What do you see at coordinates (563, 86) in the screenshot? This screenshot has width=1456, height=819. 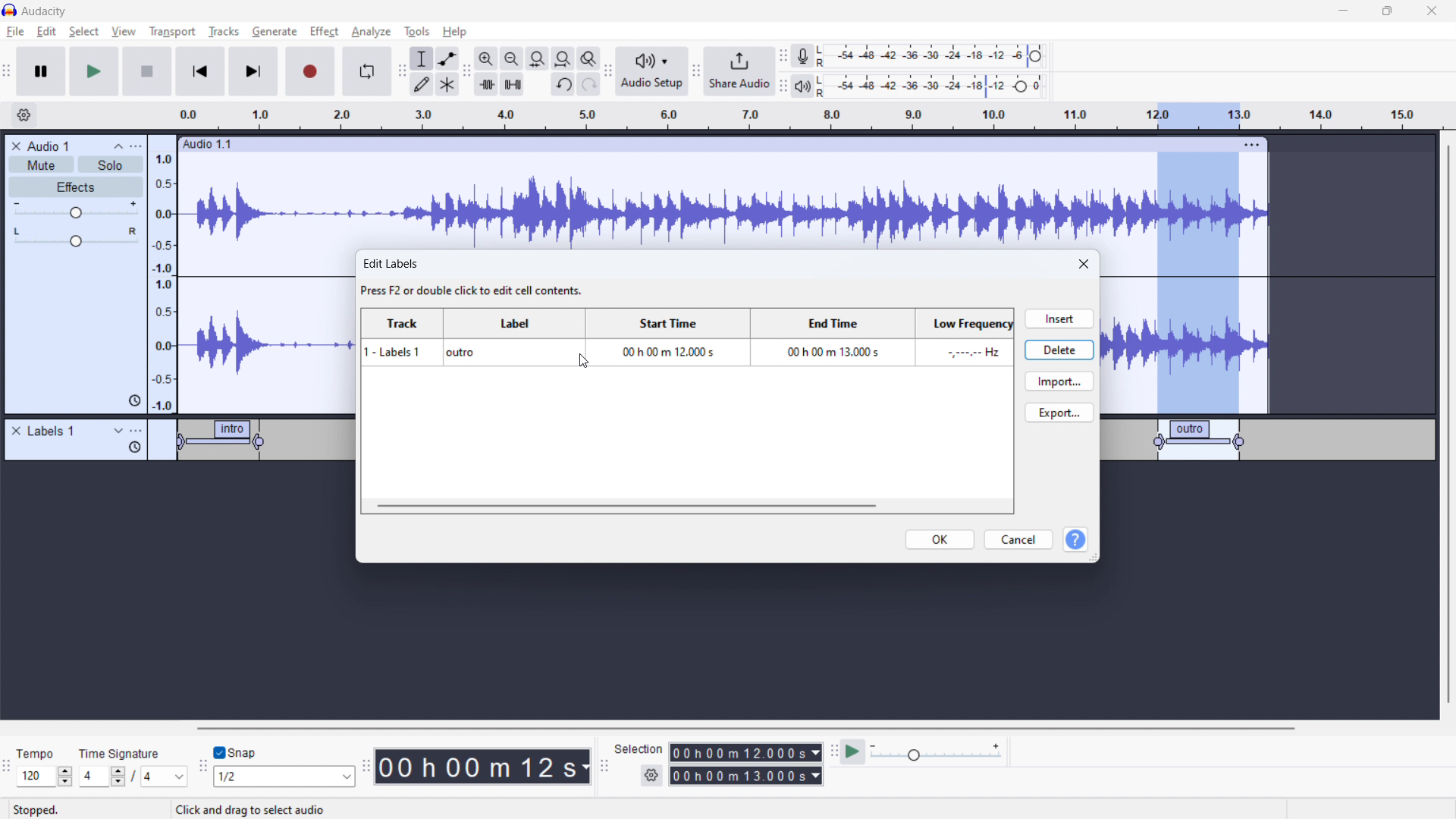 I see `undo` at bounding box center [563, 86].